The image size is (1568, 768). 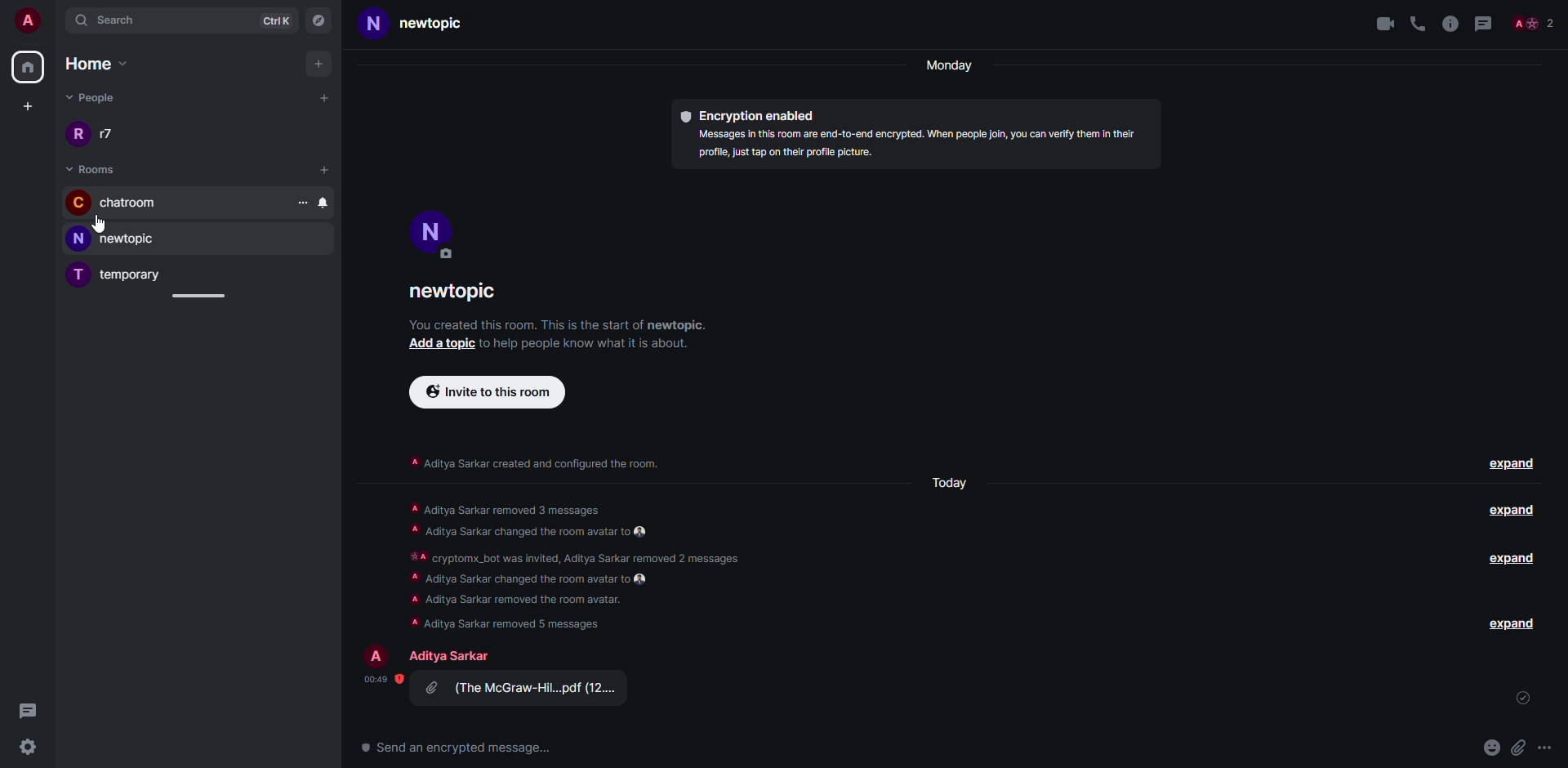 I want to click on room, so click(x=96, y=167).